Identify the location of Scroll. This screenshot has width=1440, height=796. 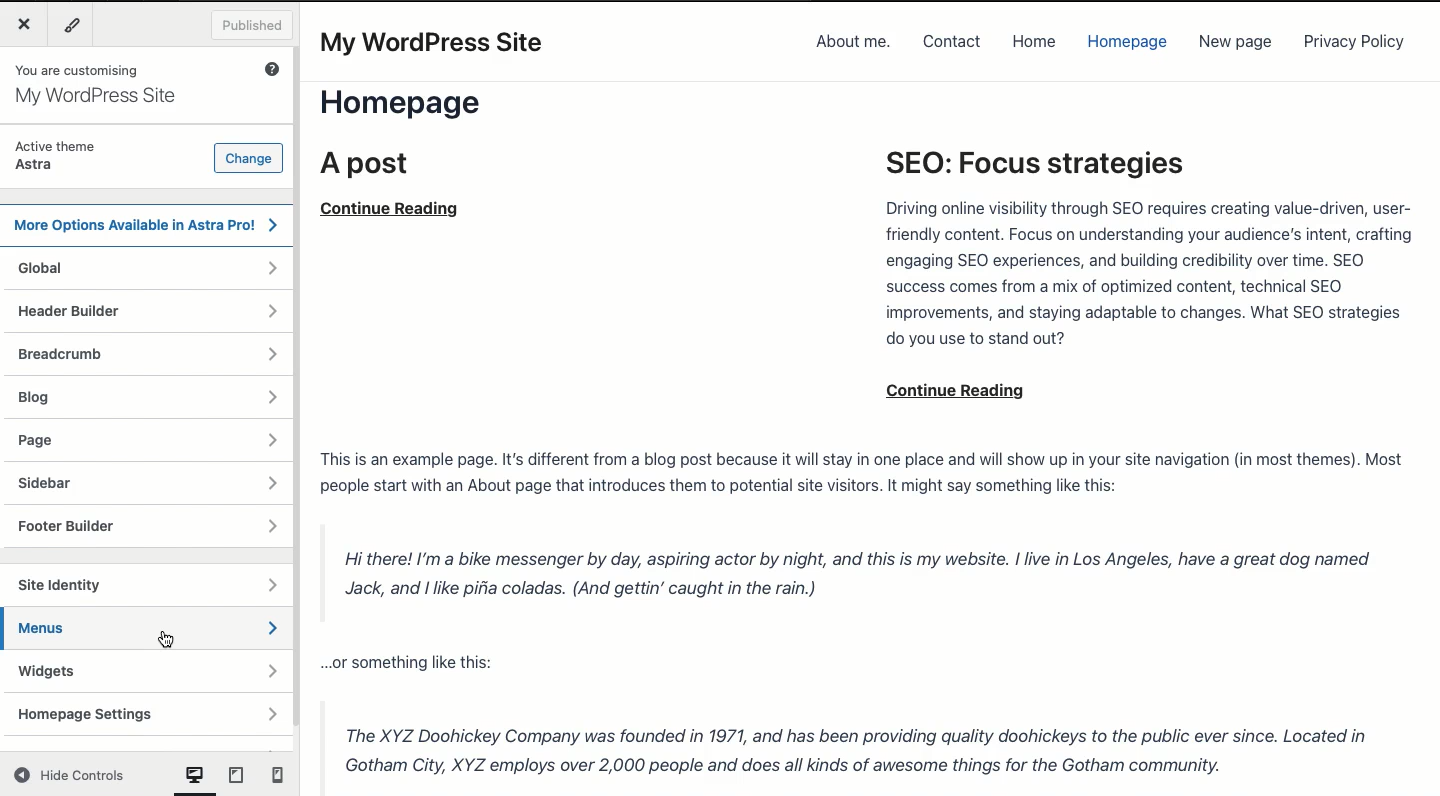
(301, 400).